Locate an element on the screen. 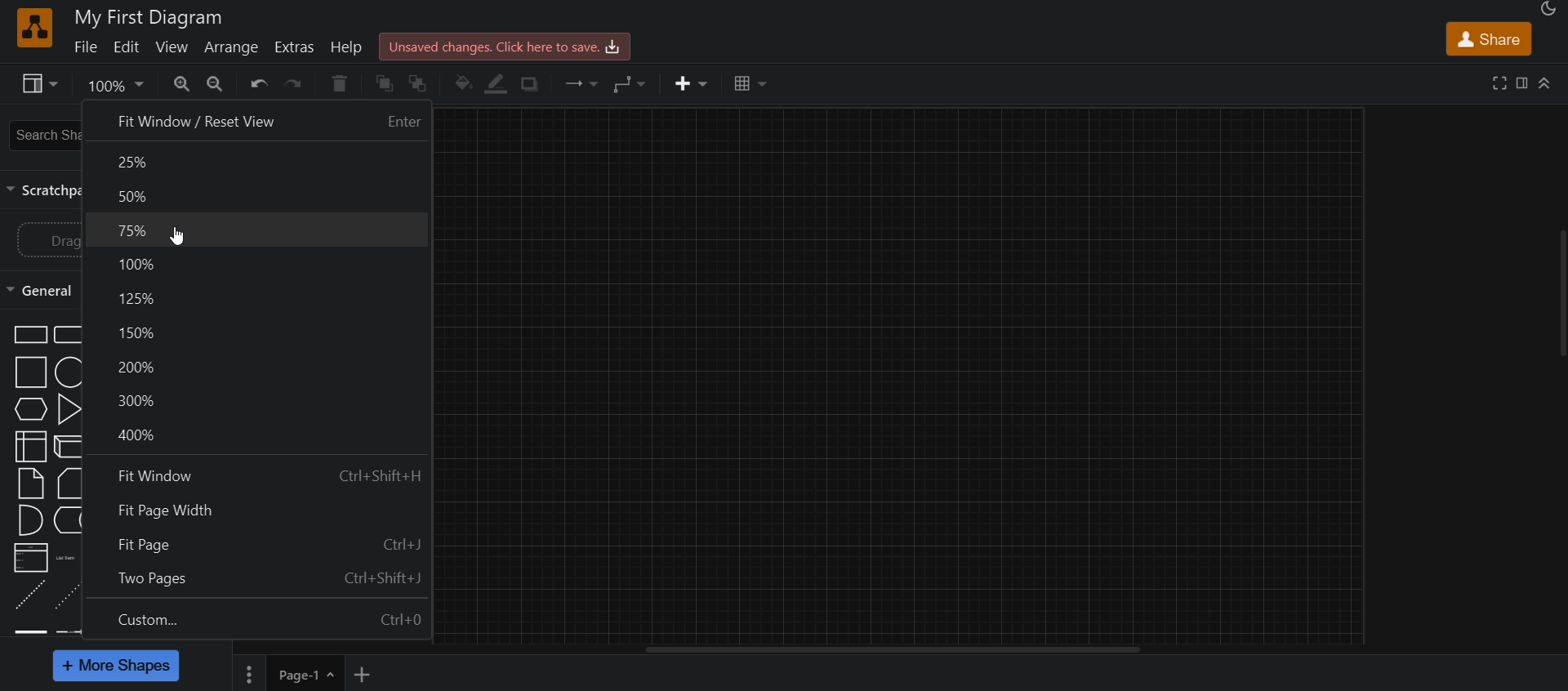  logo is located at coordinates (33, 29).